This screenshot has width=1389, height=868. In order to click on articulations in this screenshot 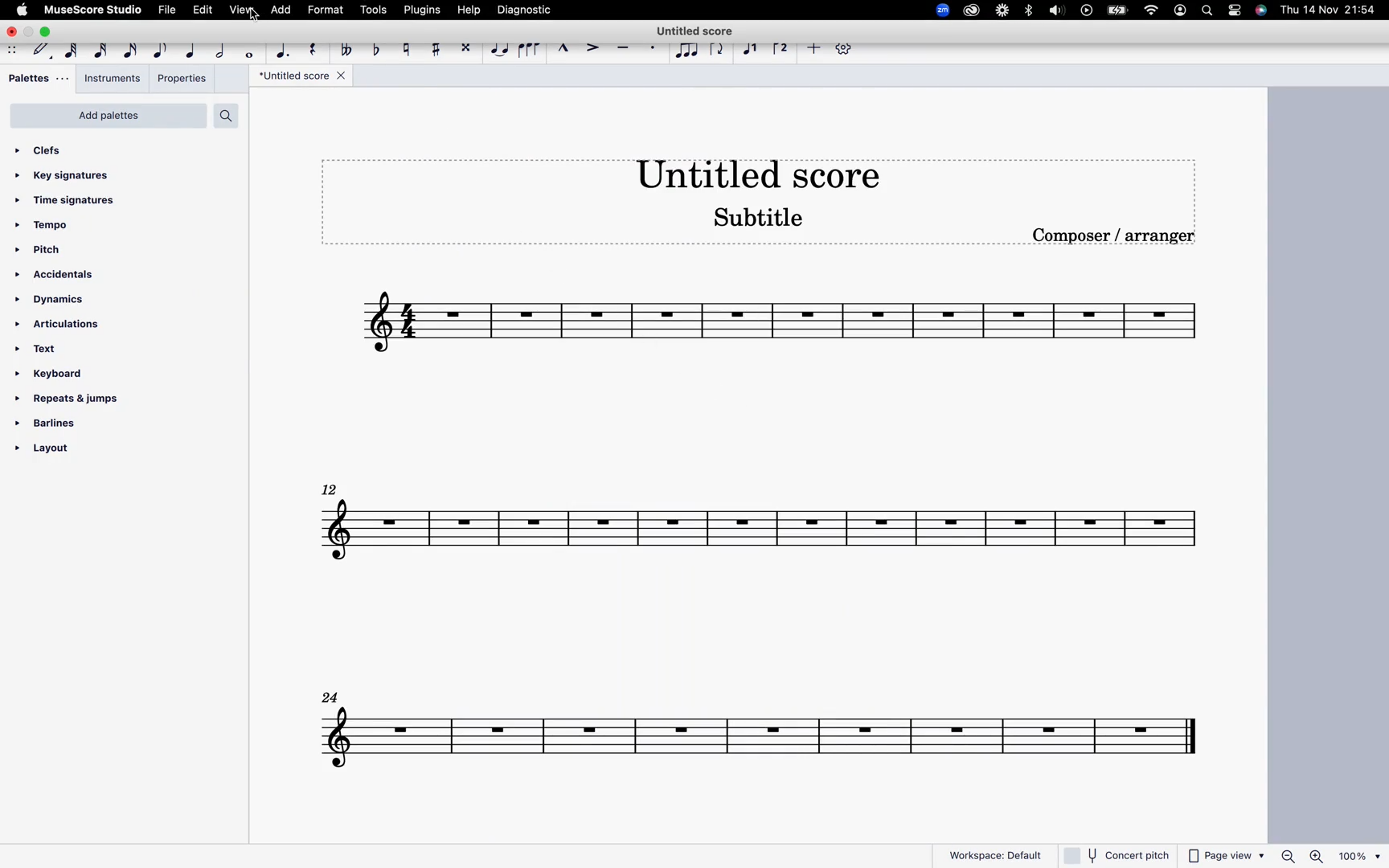, I will do `click(64, 323)`.